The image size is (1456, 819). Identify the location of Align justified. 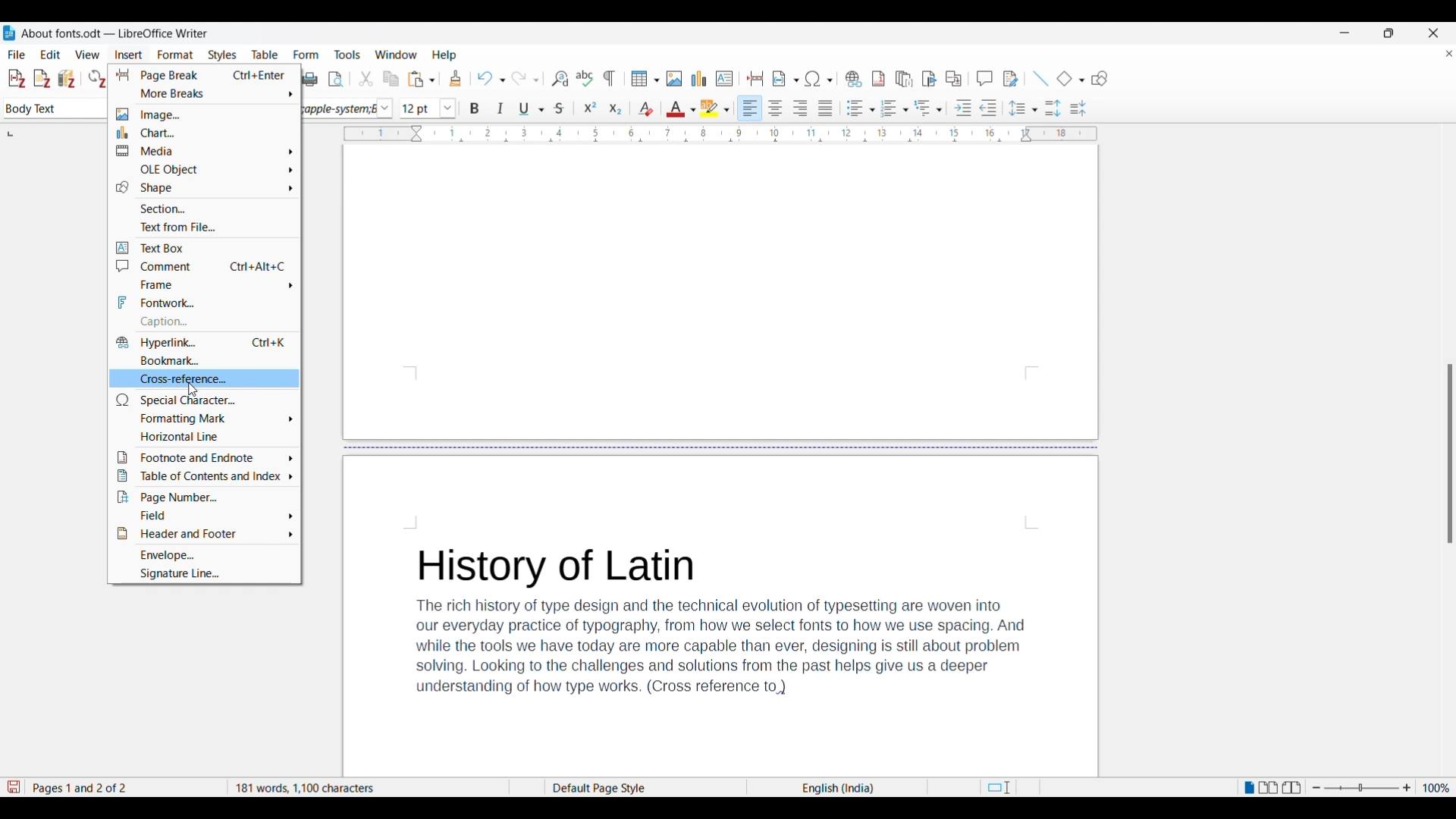
(826, 108).